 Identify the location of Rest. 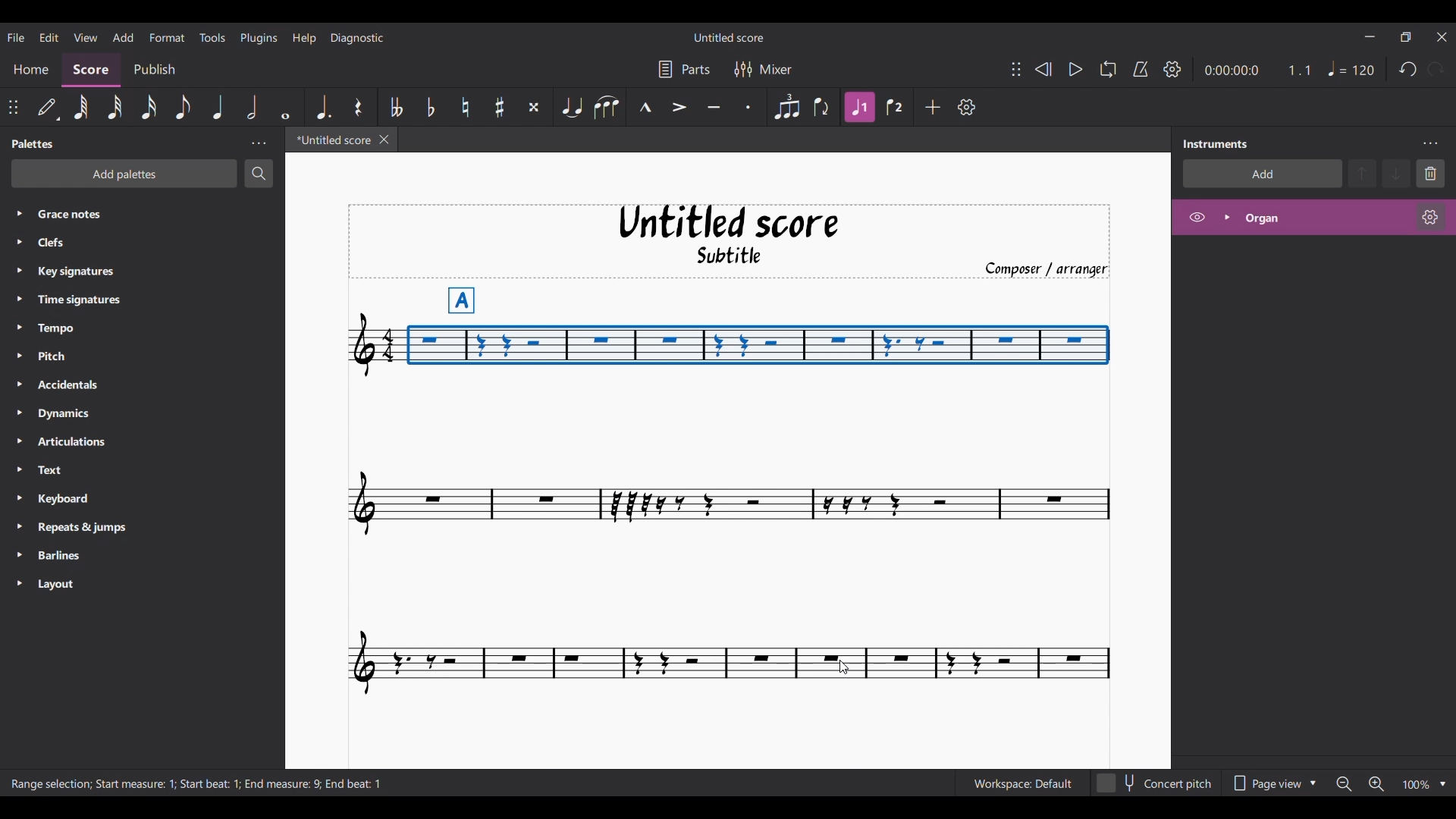
(358, 107).